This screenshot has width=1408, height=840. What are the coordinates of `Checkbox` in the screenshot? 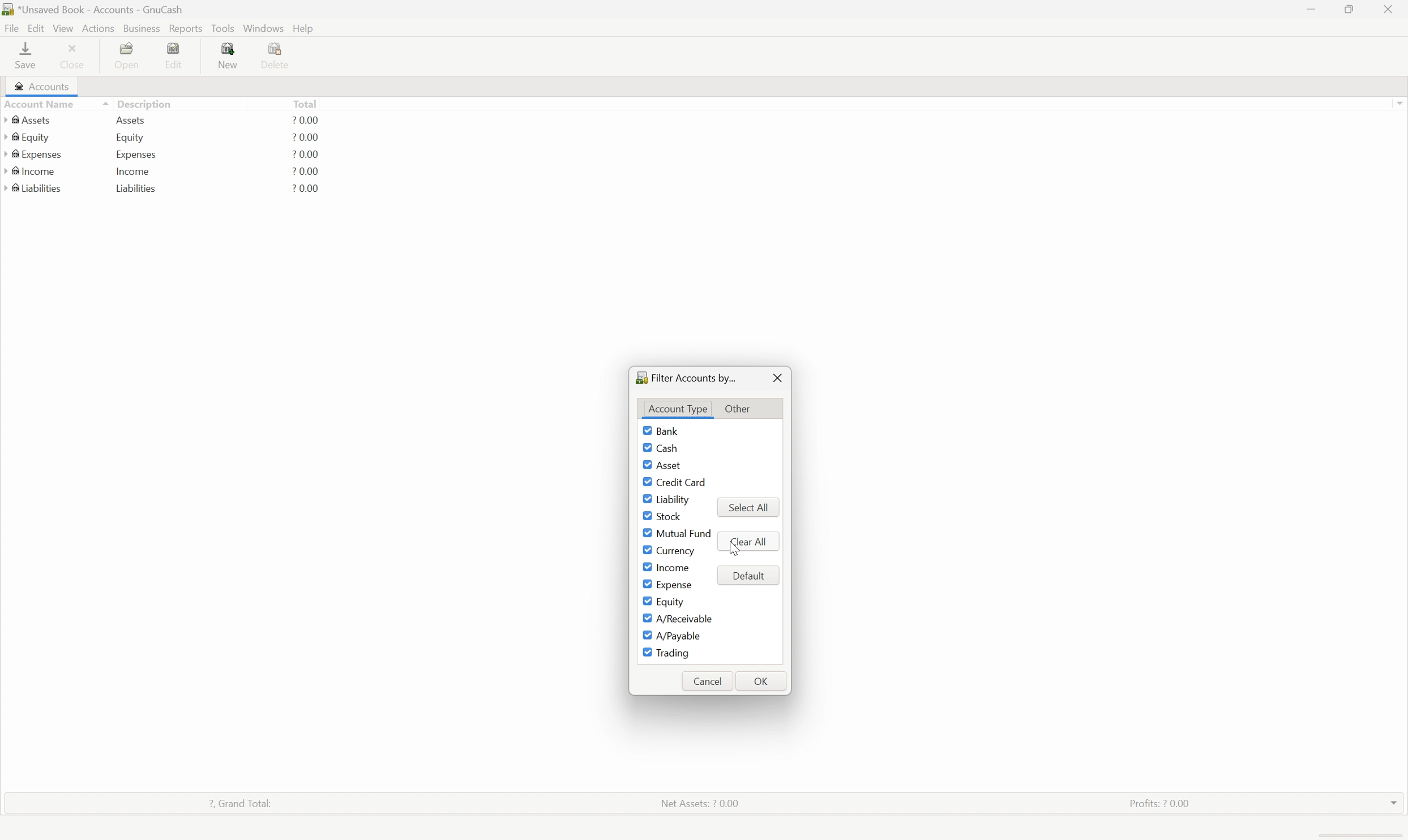 It's located at (645, 448).